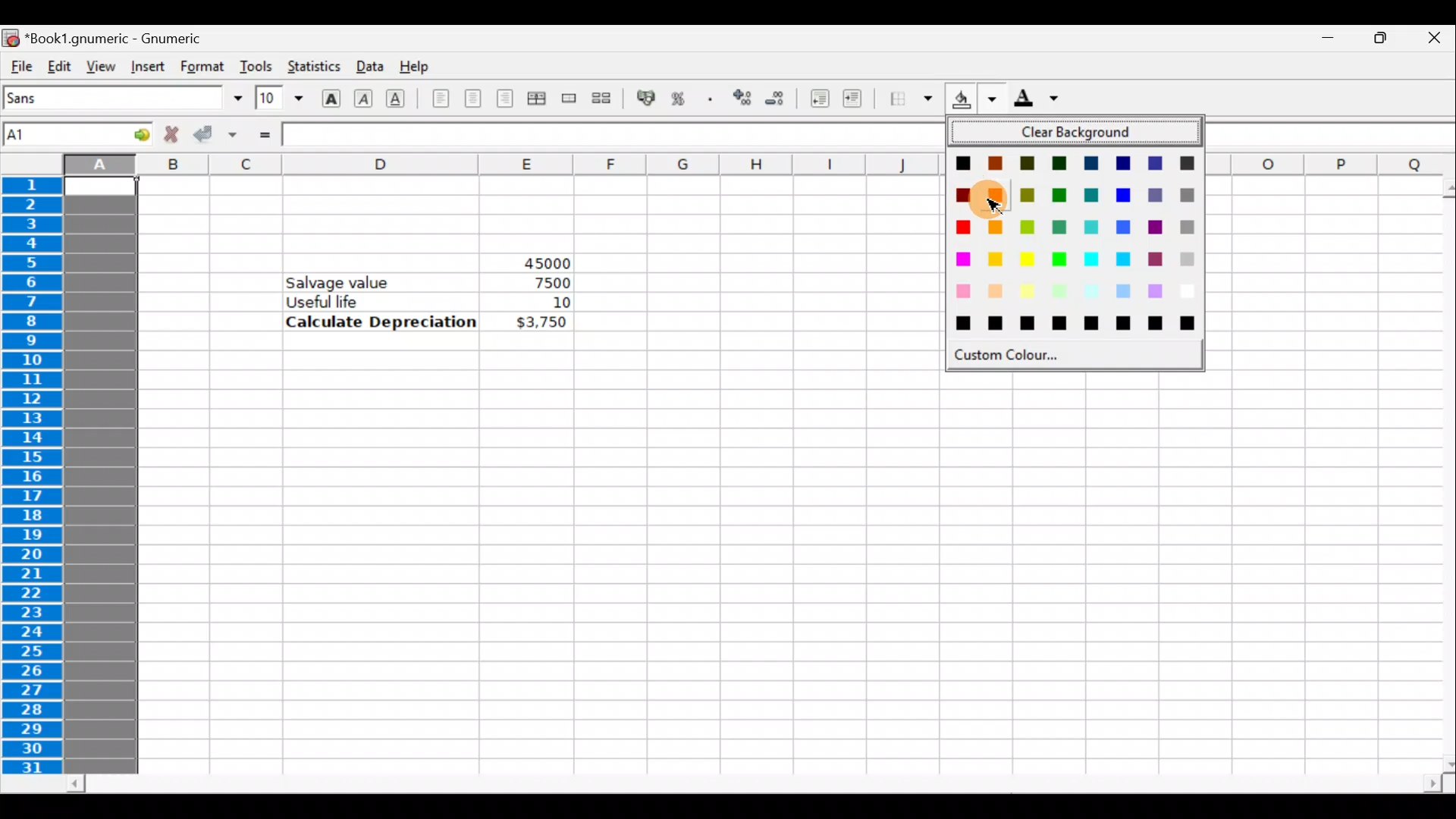  What do you see at coordinates (911, 99) in the screenshot?
I see `Borders` at bounding box center [911, 99].